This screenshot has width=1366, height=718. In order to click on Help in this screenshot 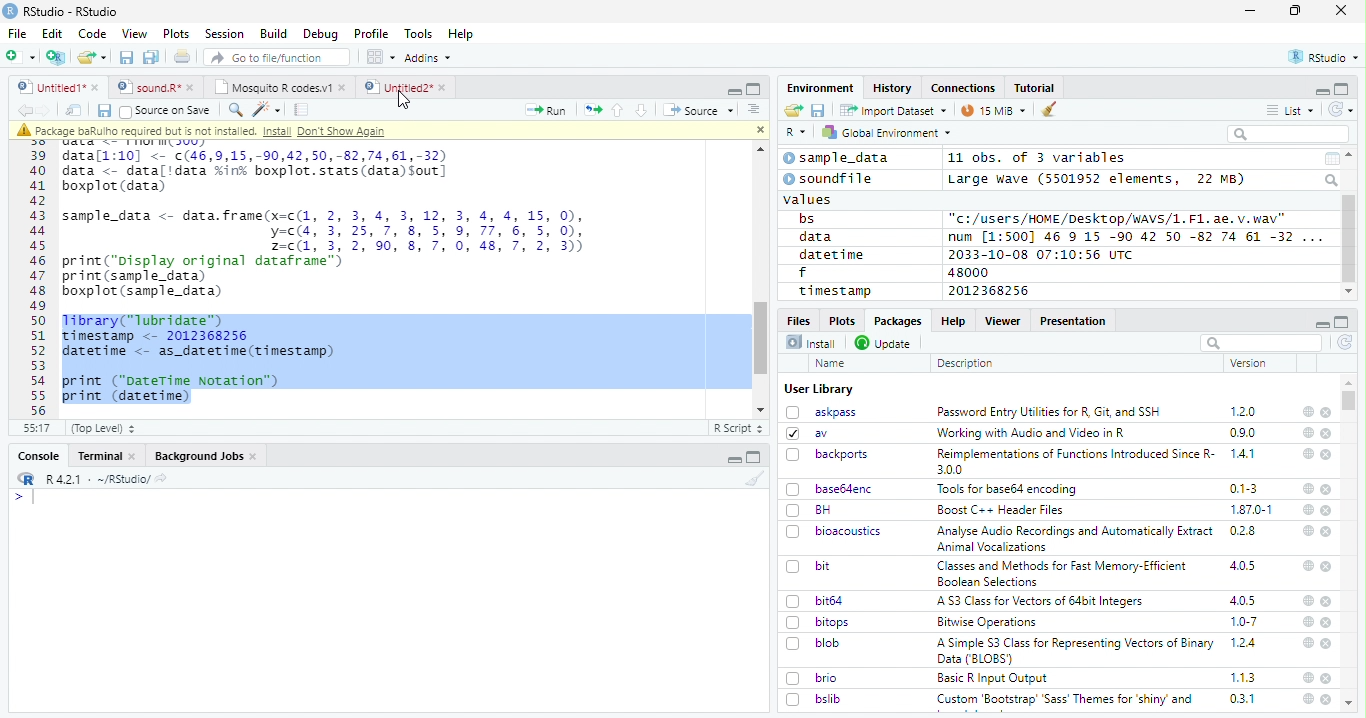, I will do `click(461, 35)`.